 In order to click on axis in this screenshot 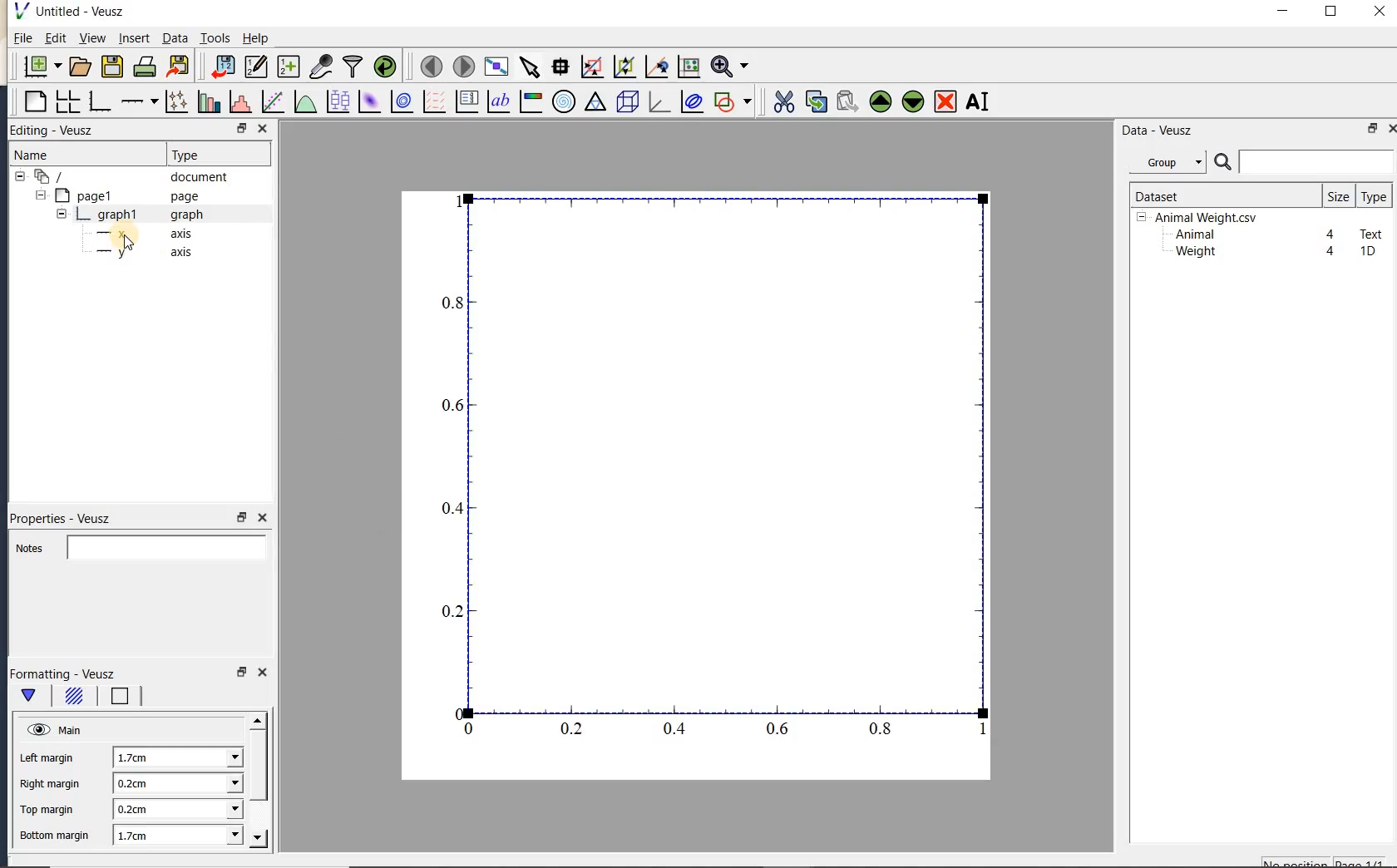, I will do `click(141, 253)`.